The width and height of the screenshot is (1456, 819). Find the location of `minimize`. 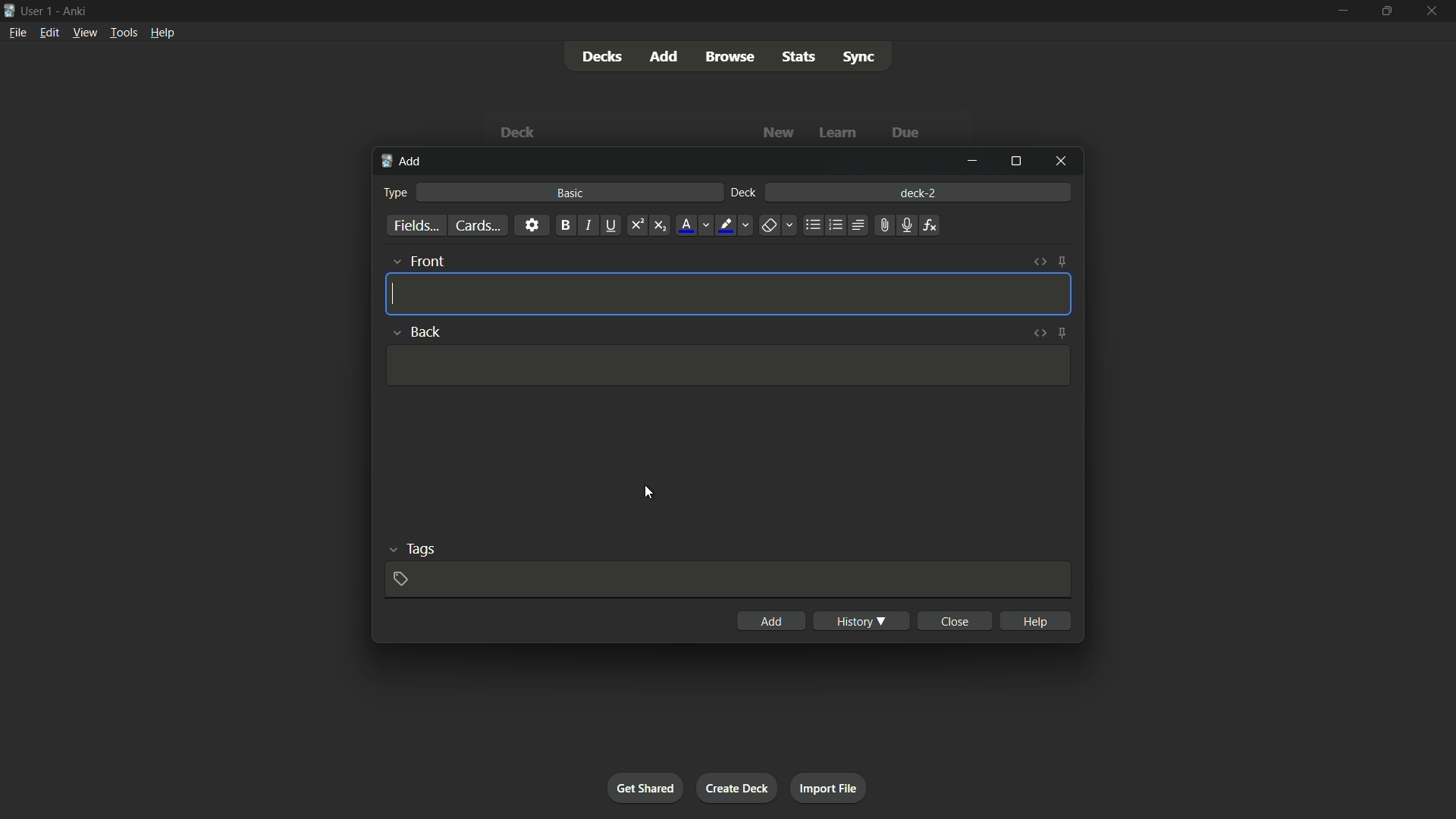

minimize is located at coordinates (1345, 10).